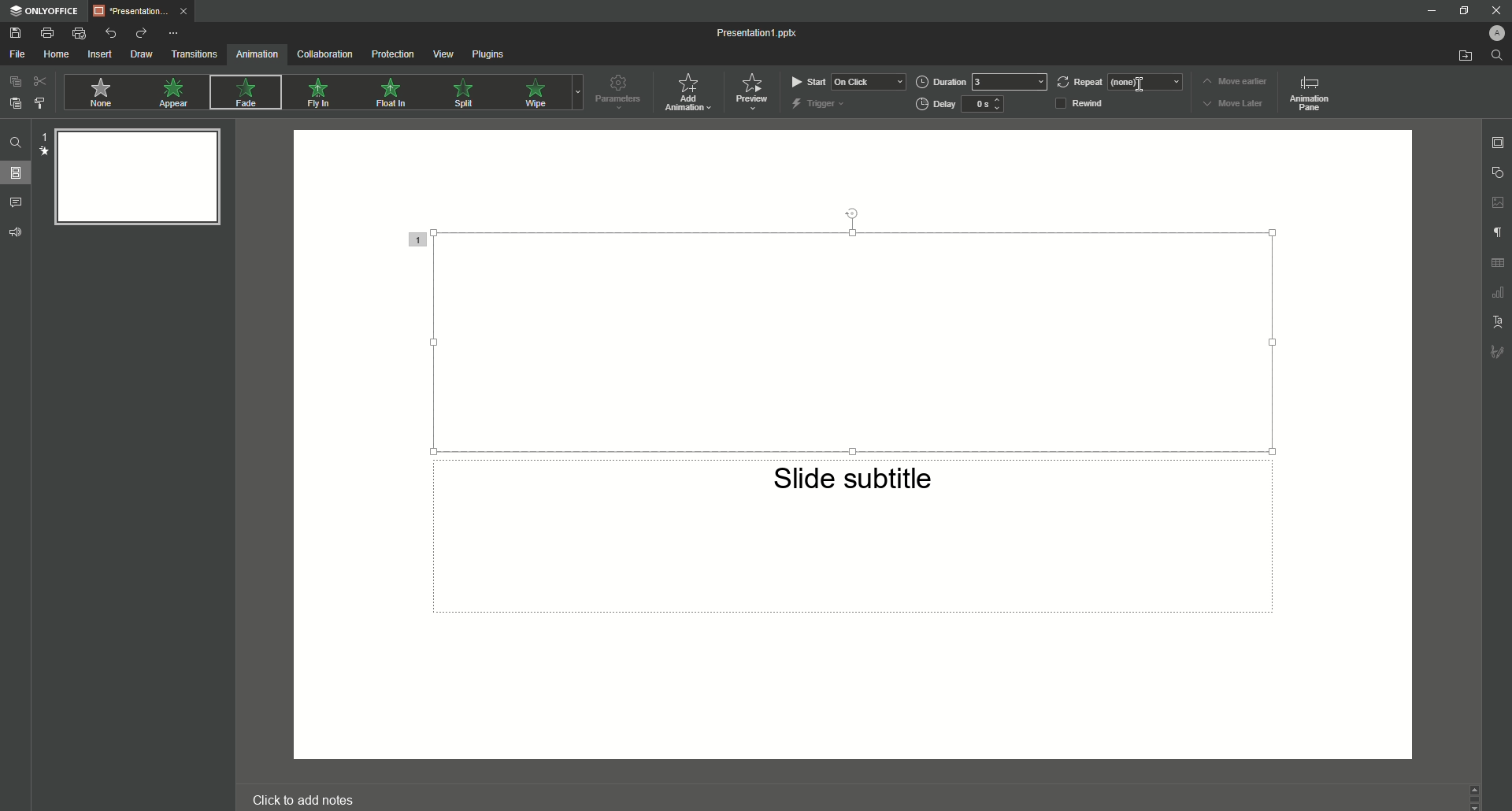 The height and width of the screenshot is (811, 1512). What do you see at coordinates (41, 81) in the screenshot?
I see `Cut` at bounding box center [41, 81].